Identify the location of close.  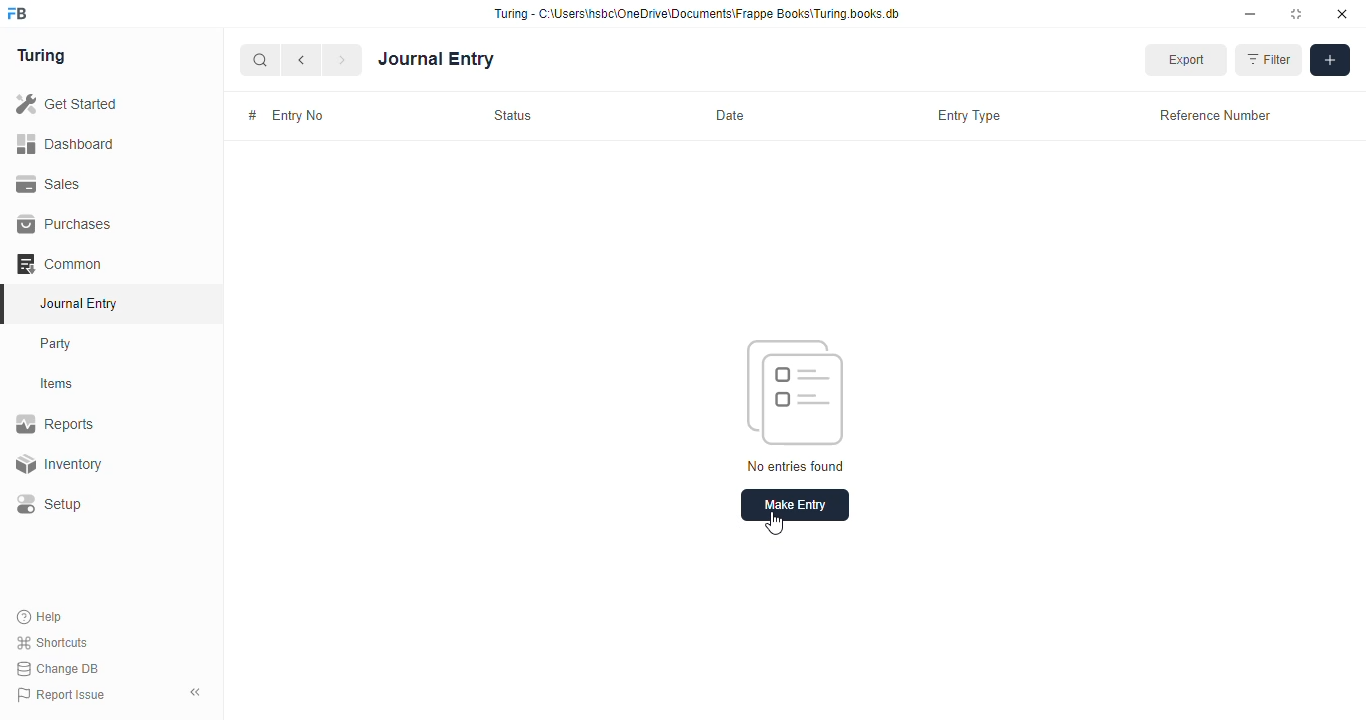
(1342, 14).